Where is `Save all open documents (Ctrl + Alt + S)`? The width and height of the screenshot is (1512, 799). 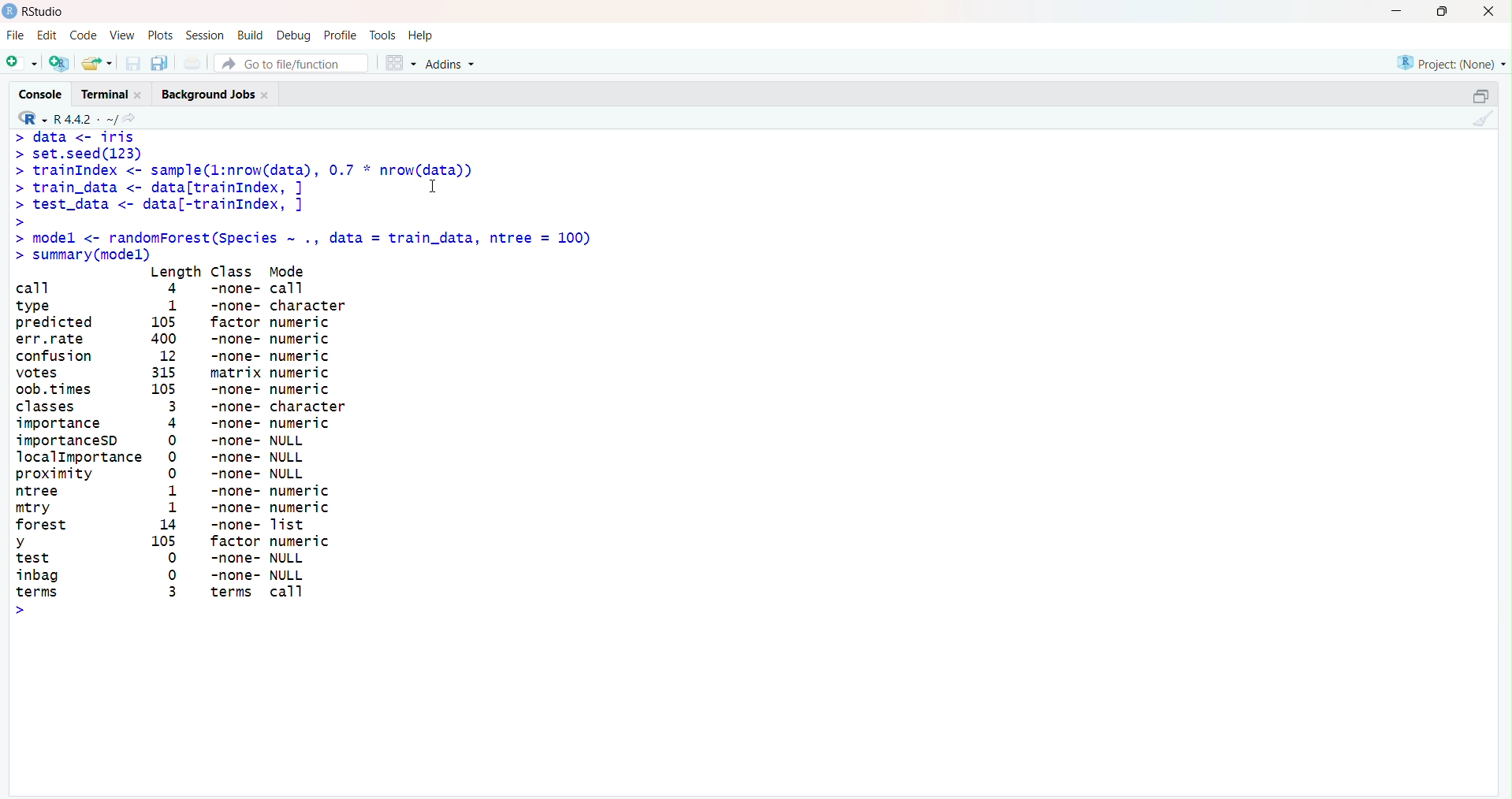 Save all open documents (Ctrl + Alt + S) is located at coordinates (158, 61).